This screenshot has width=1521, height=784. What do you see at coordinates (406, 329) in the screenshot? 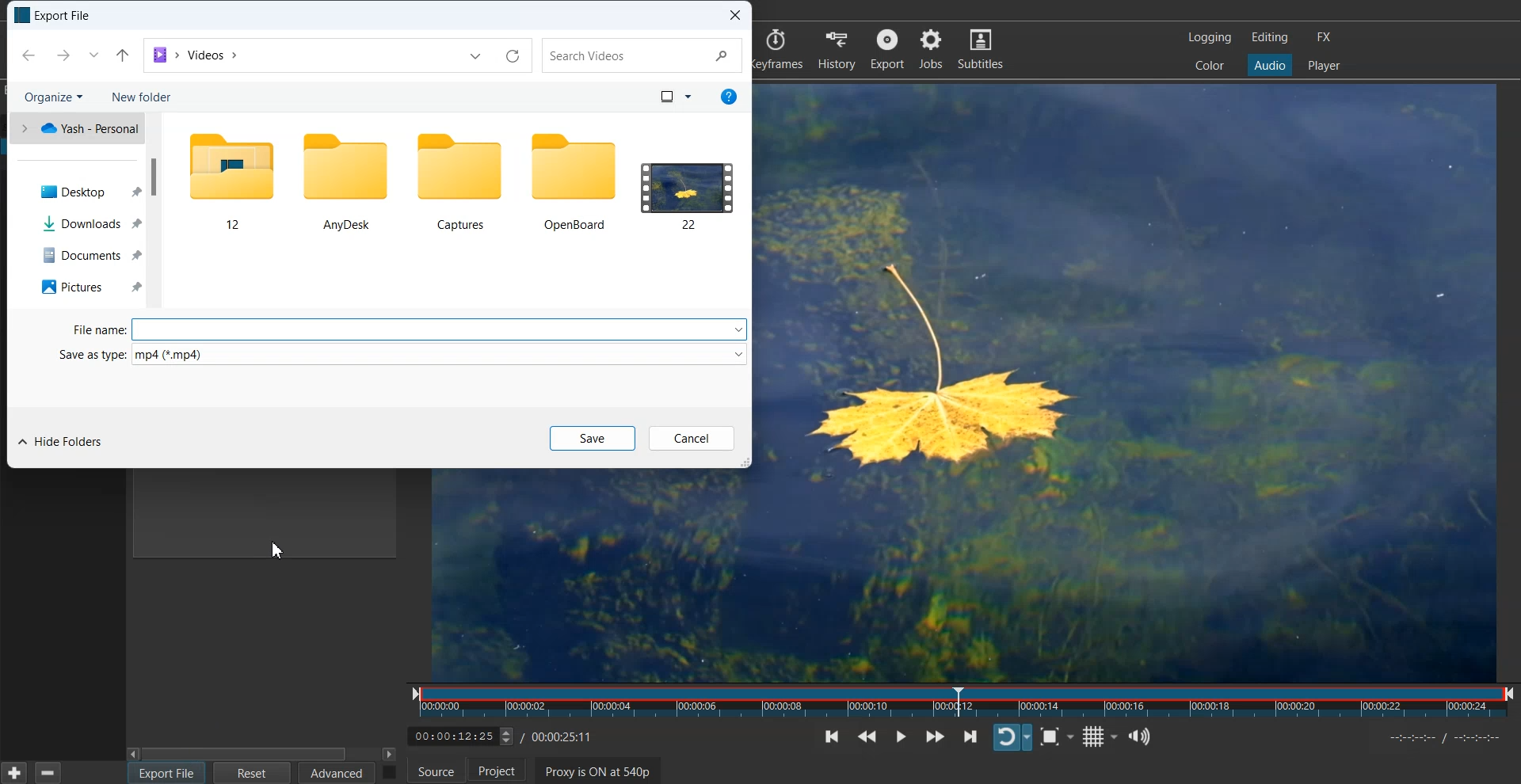
I see `File Type` at bounding box center [406, 329].